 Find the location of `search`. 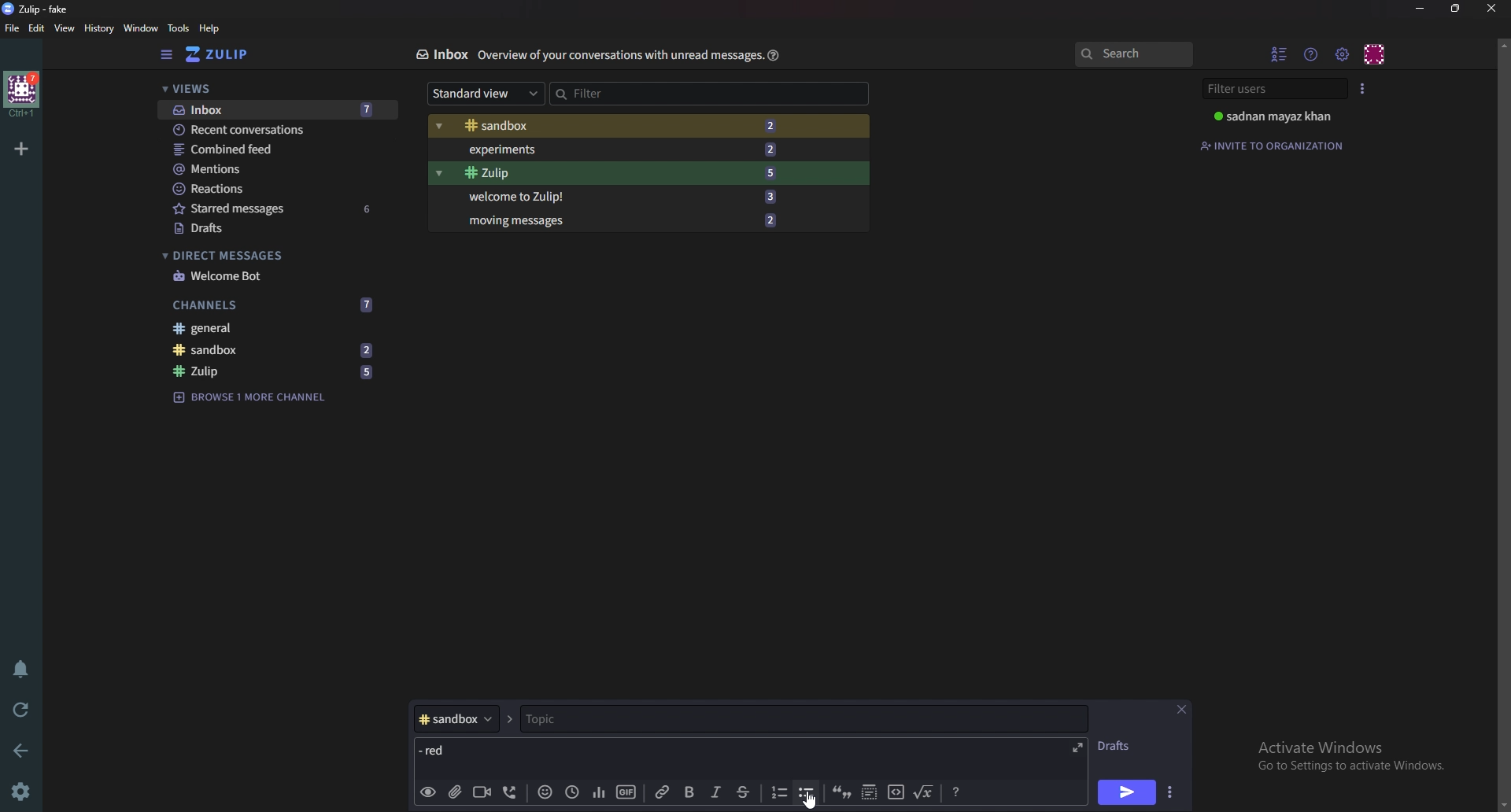

search is located at coordinates (1132, 54).